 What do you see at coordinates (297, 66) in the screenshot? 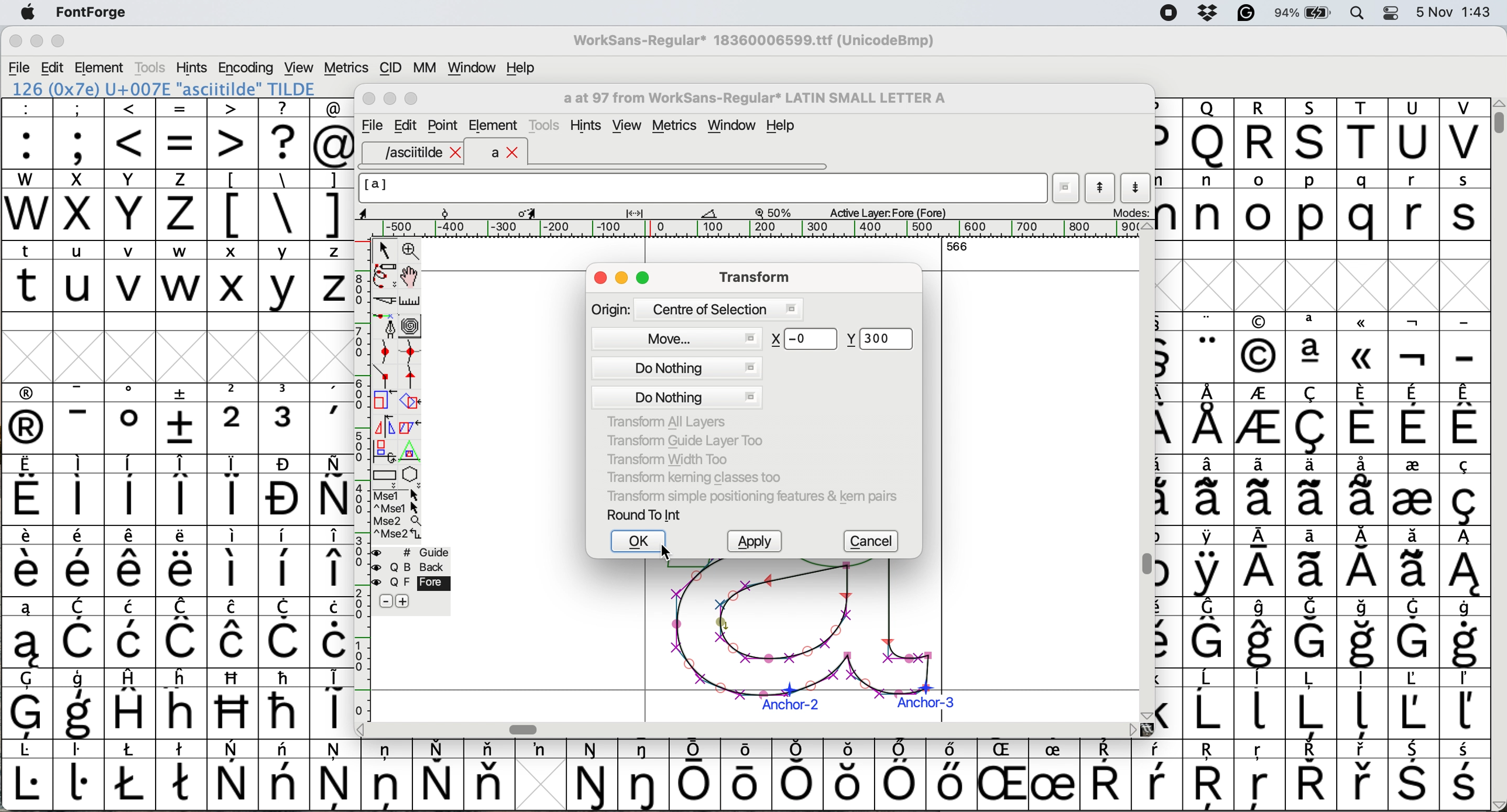
I see `view` at bounding box center [297, 66].